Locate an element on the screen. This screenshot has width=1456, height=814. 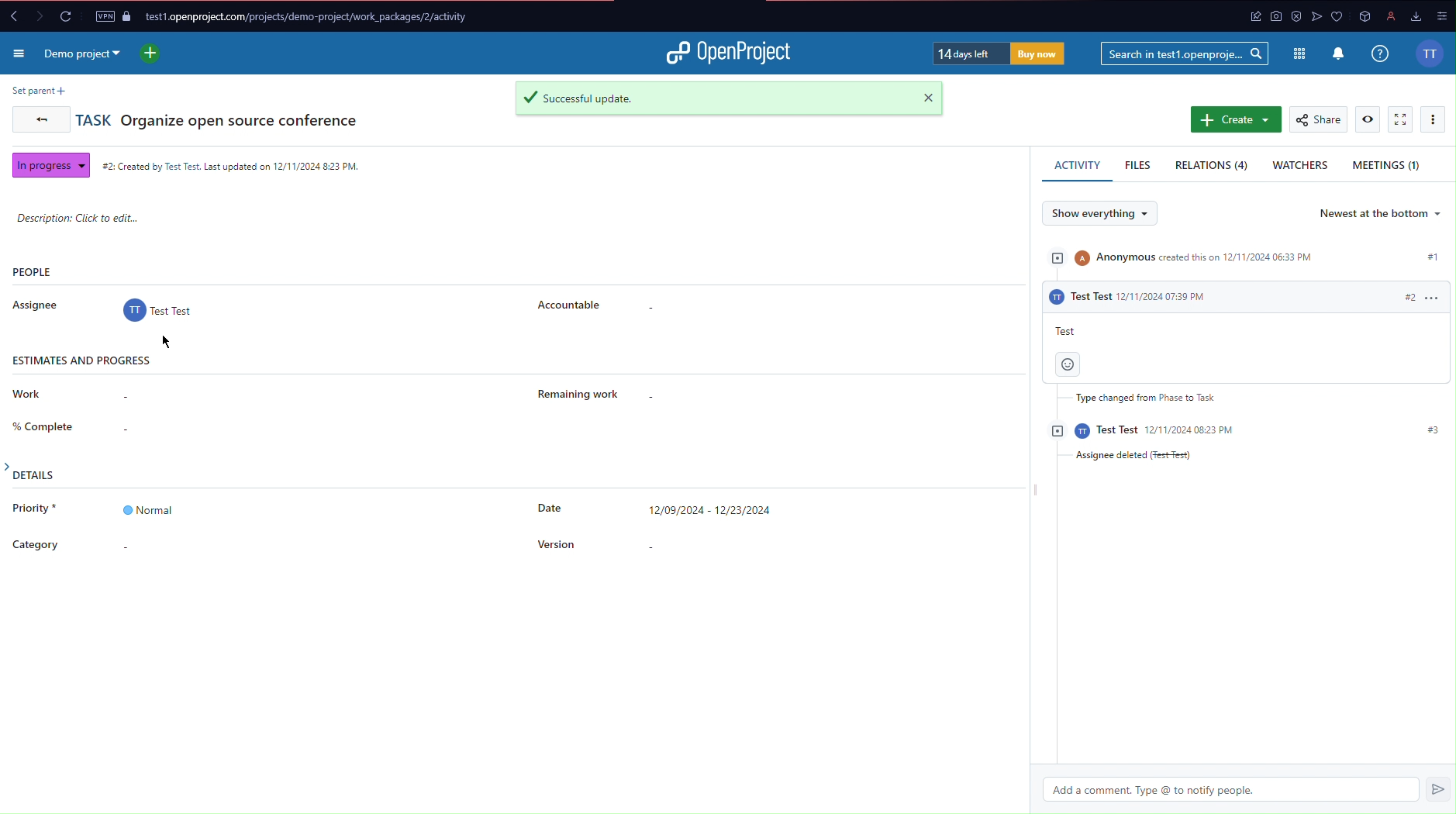
Meetings is located at coordinates (1393, 167).